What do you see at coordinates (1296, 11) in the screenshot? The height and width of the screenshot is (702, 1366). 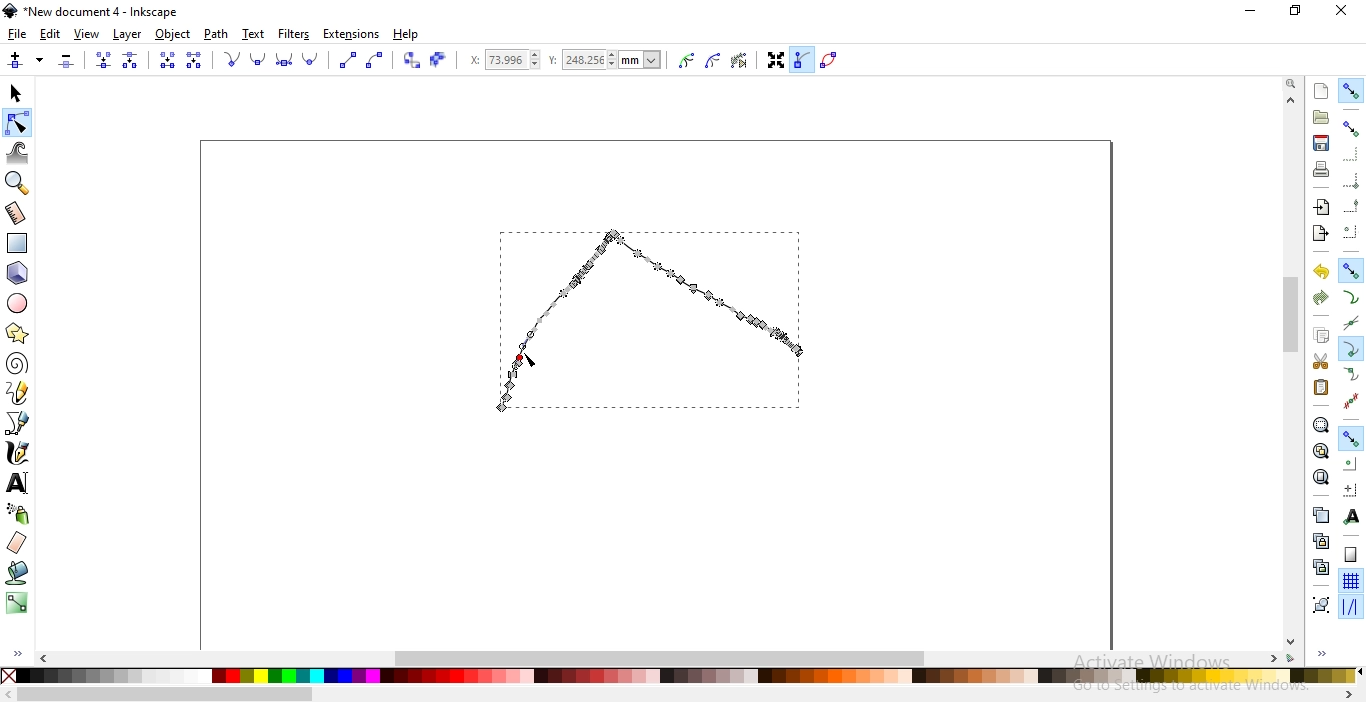 I see `restore down` at bounding box center [1296, 11].